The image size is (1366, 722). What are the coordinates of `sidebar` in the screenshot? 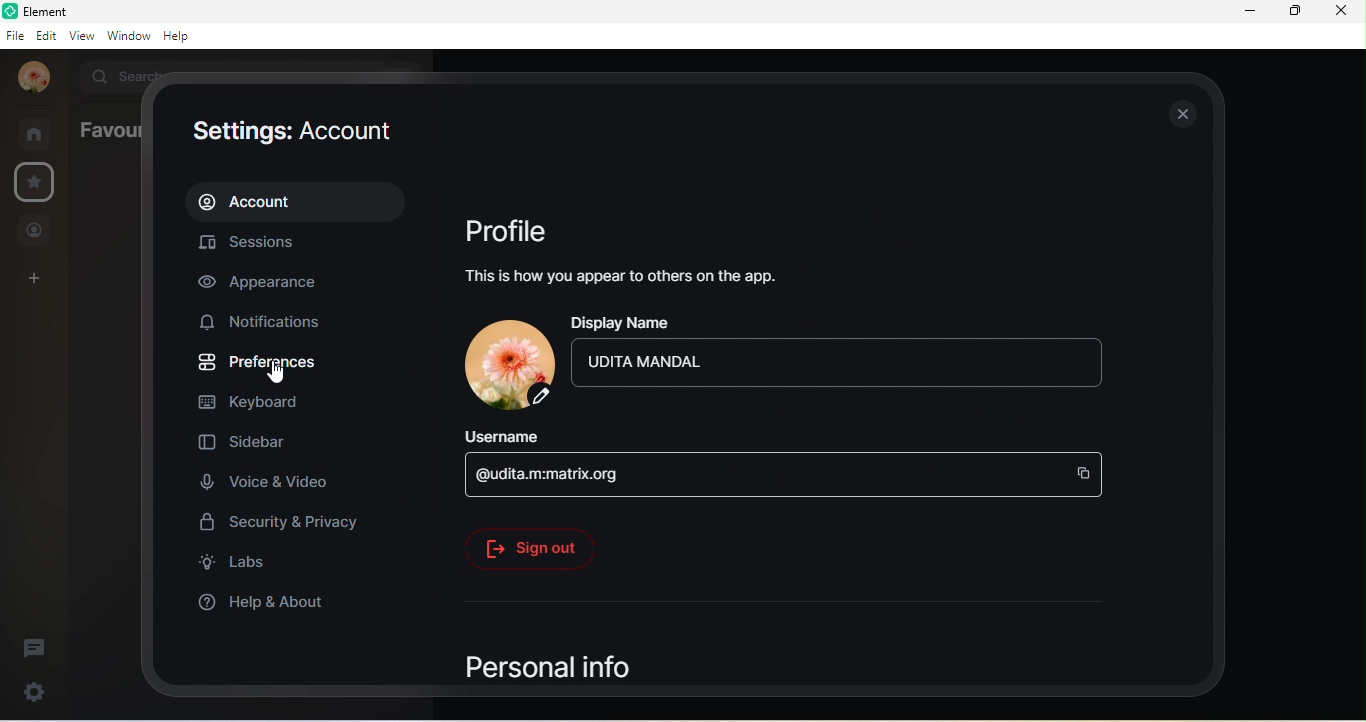 It's located at (245, 445).